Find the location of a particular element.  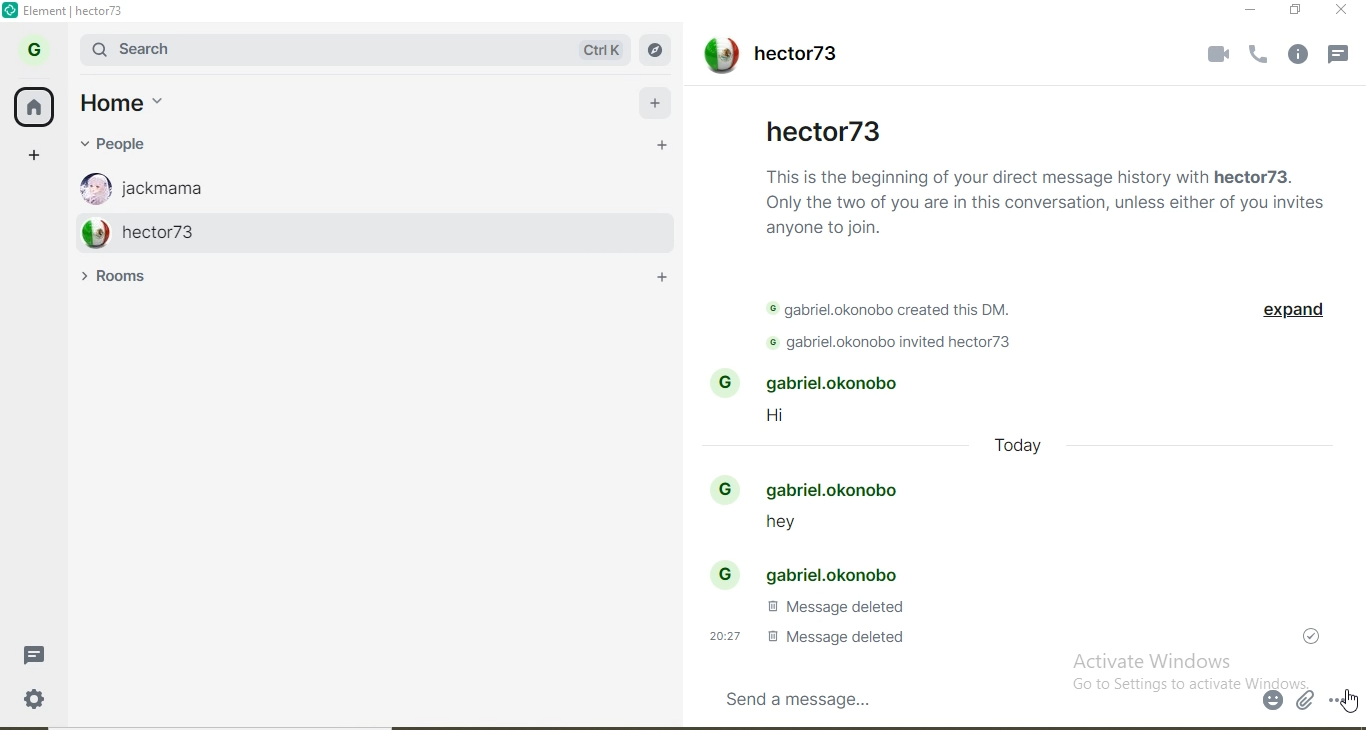

message is located at coordinates (42, 654).